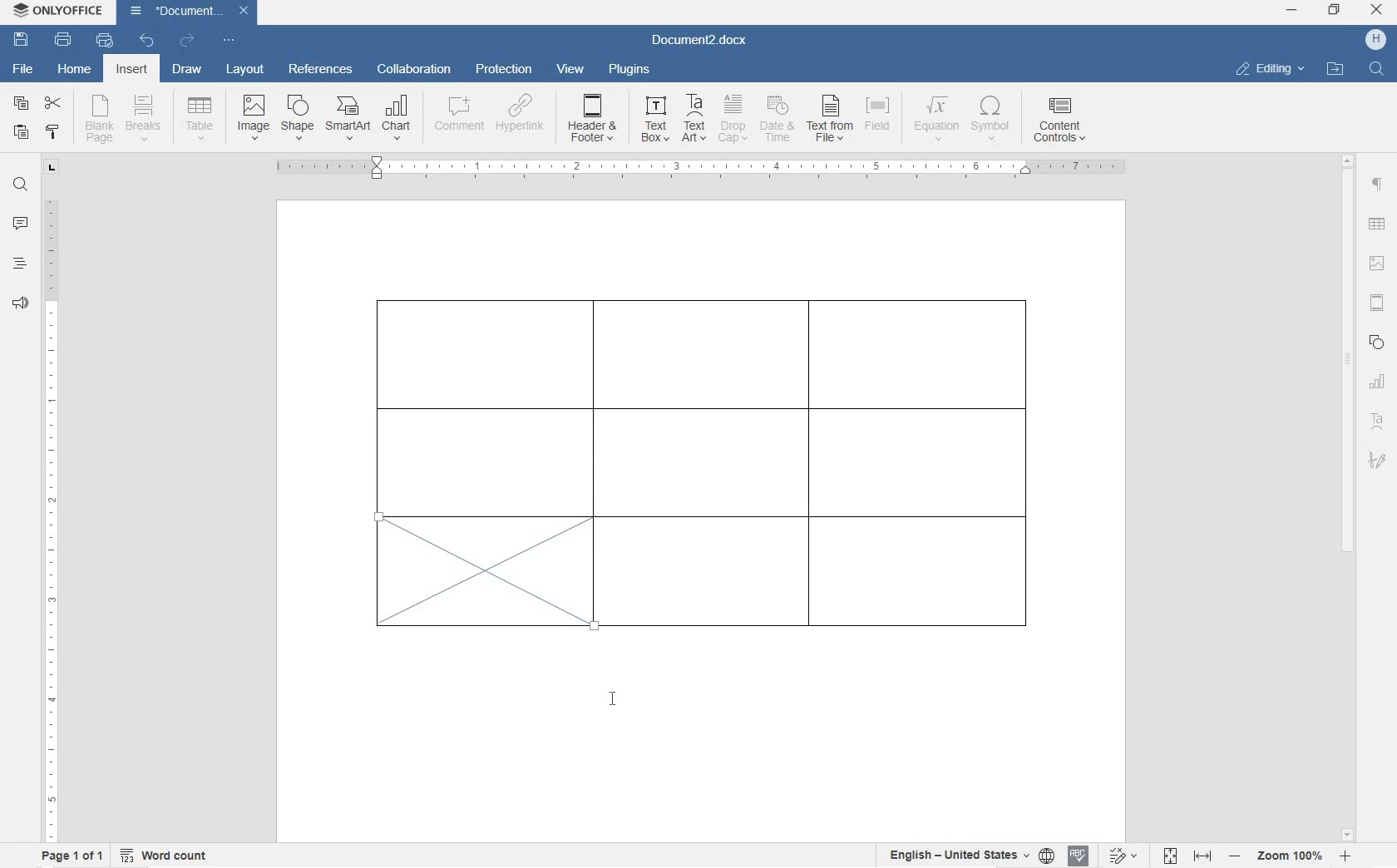 This screenshot has width=1397, height=868. What do you see at coordinates (613, 698) in the screenshot?
I see `cursor` at bounding box center [613, 698].